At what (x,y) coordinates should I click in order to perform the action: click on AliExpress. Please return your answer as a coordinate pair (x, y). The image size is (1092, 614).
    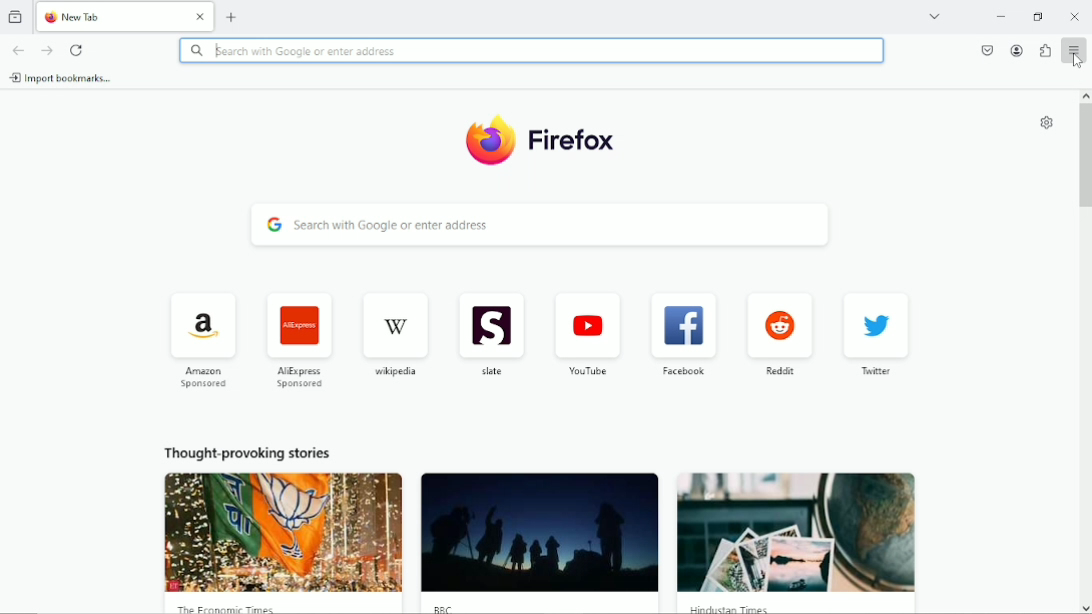
    Looking at the image, I should click on (301, 340).